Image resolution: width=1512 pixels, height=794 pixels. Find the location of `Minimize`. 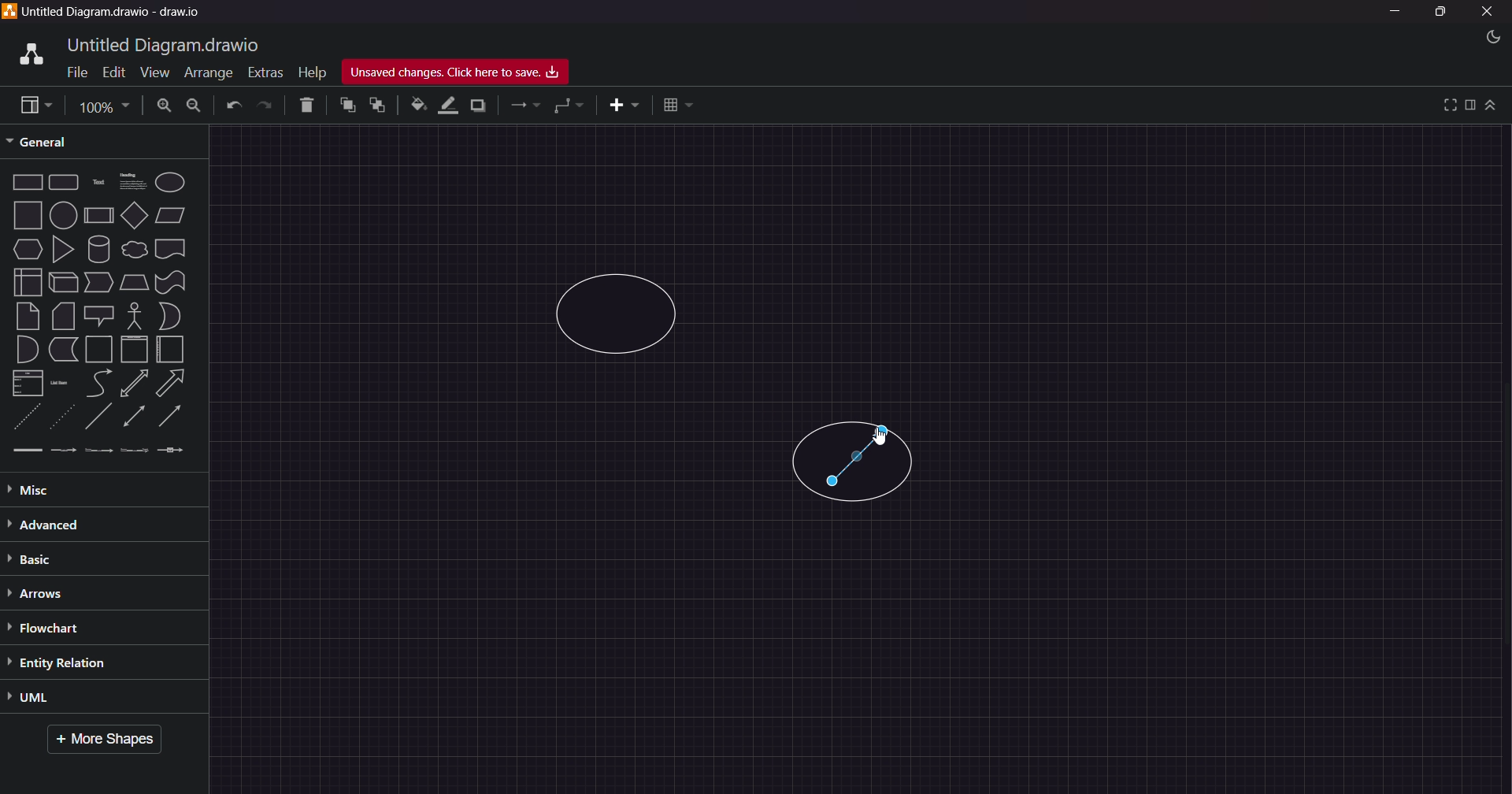

Minimize is located at coordinates (1399, 13).